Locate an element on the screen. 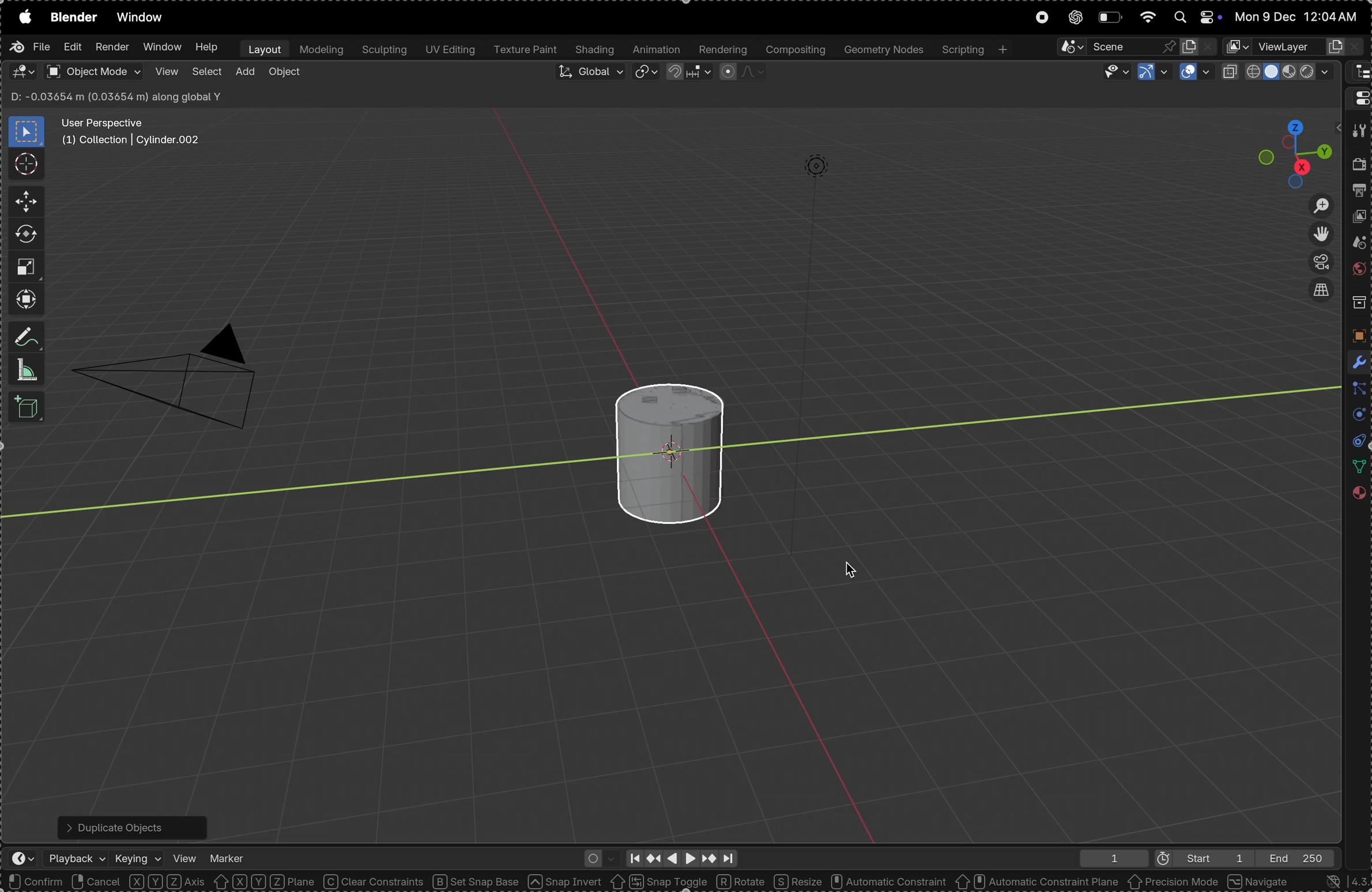  composting is located at coordinates (794, 50).